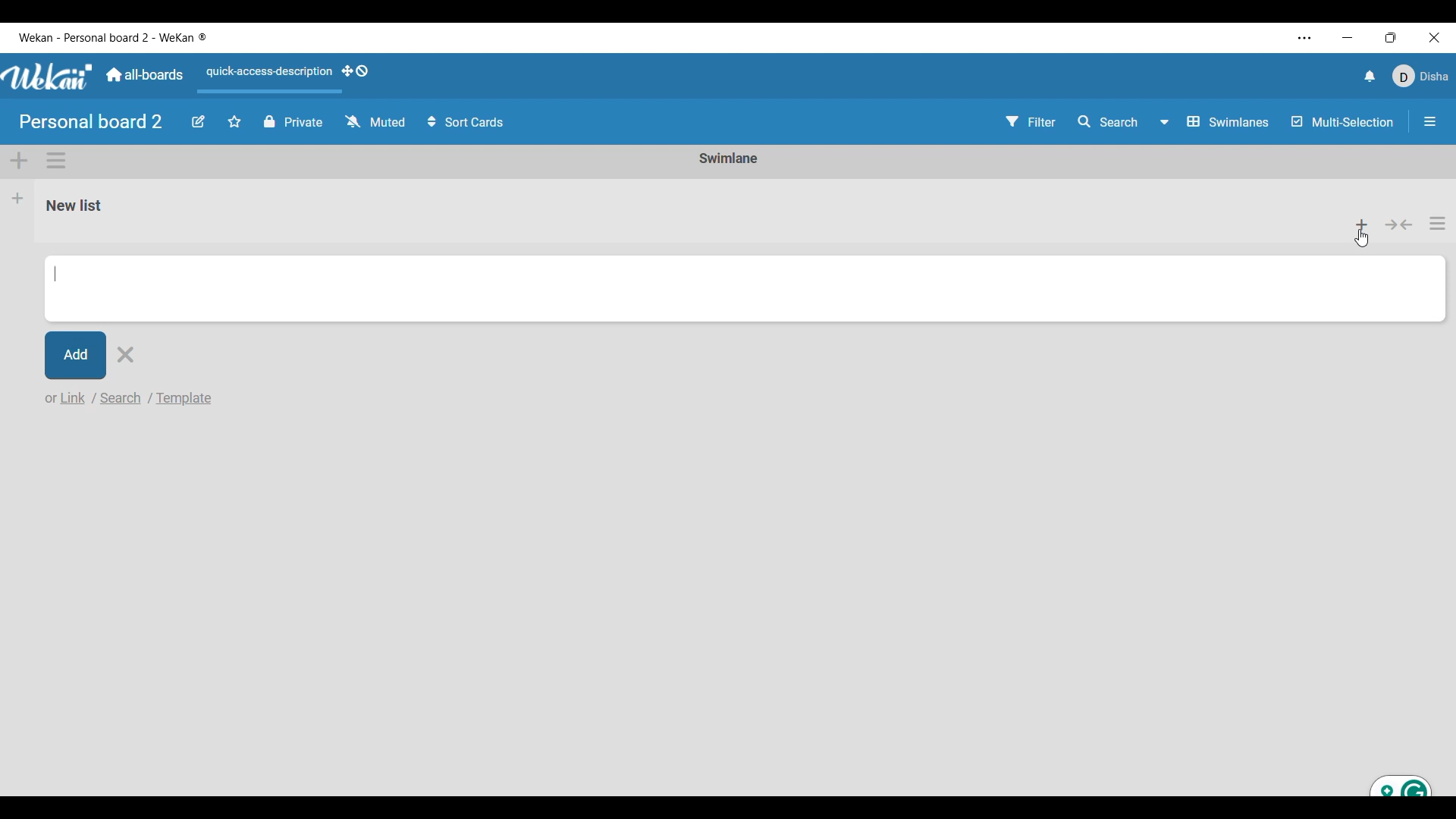 The image size is (1456, 819). I want to click on Board title, so click(92, 121).